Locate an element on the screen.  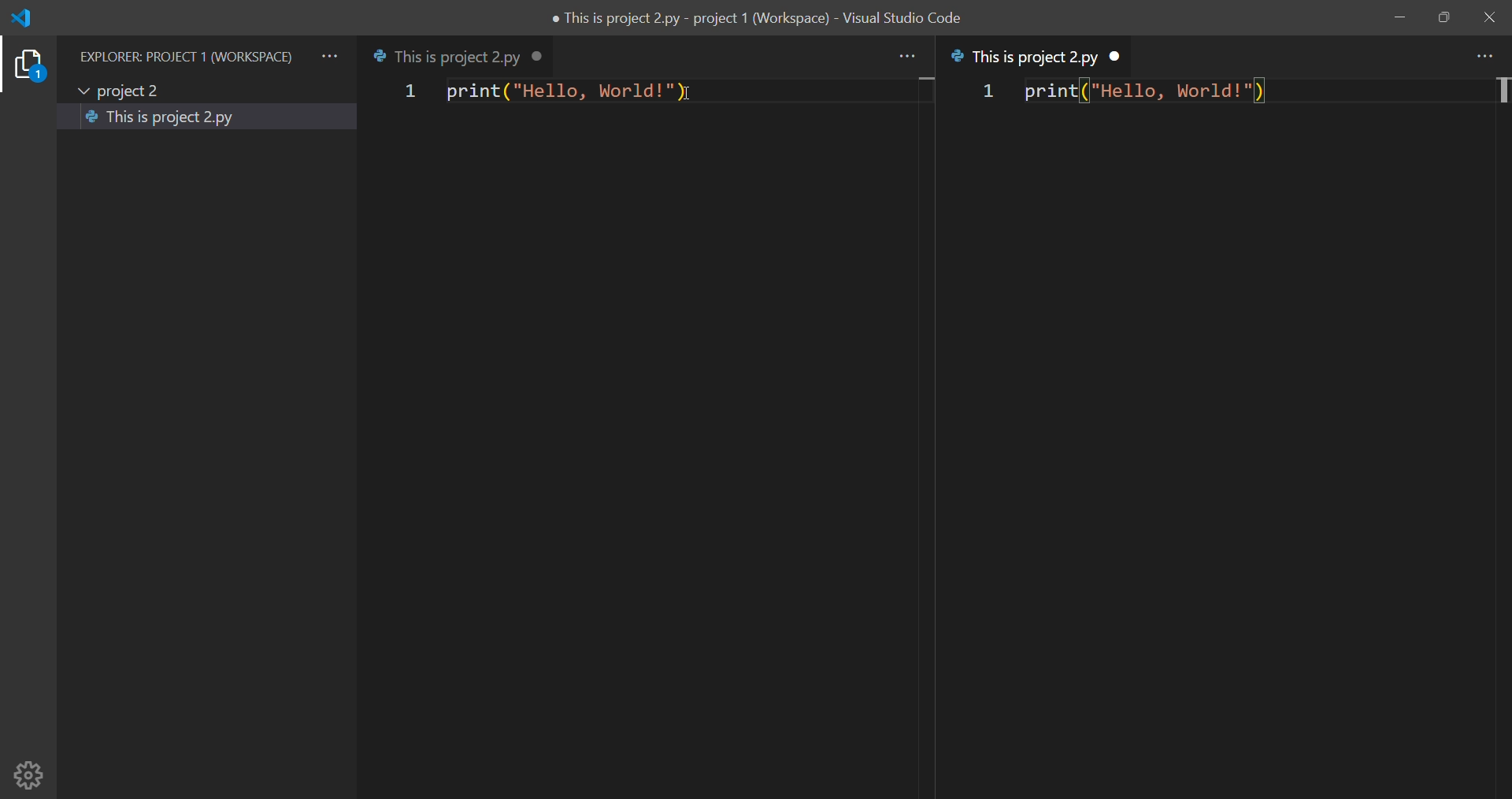
close is located at coordinates (1488, 18).